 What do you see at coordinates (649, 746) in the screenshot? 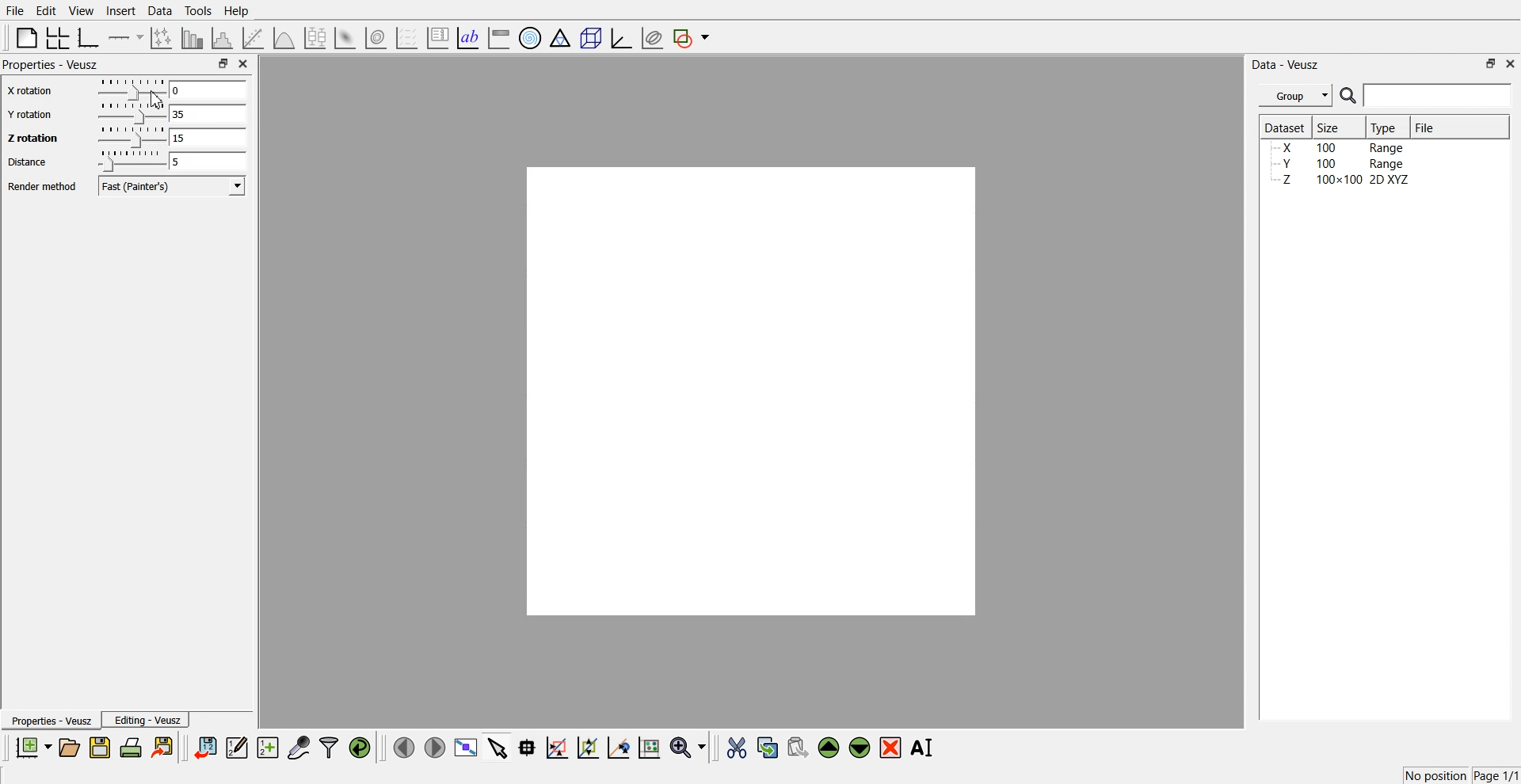
I see `Click to reset graph axes` at bounding box center [649, 746].